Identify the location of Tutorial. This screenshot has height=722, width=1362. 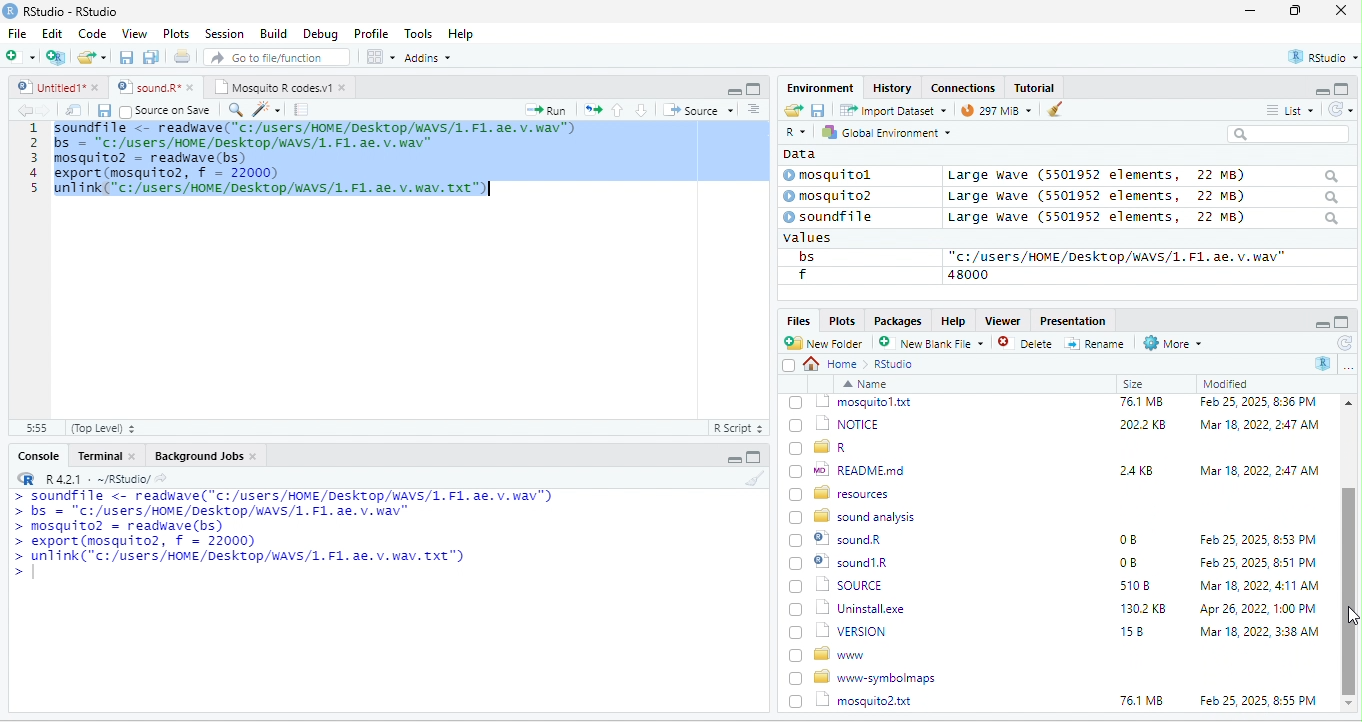
(1037, 87).